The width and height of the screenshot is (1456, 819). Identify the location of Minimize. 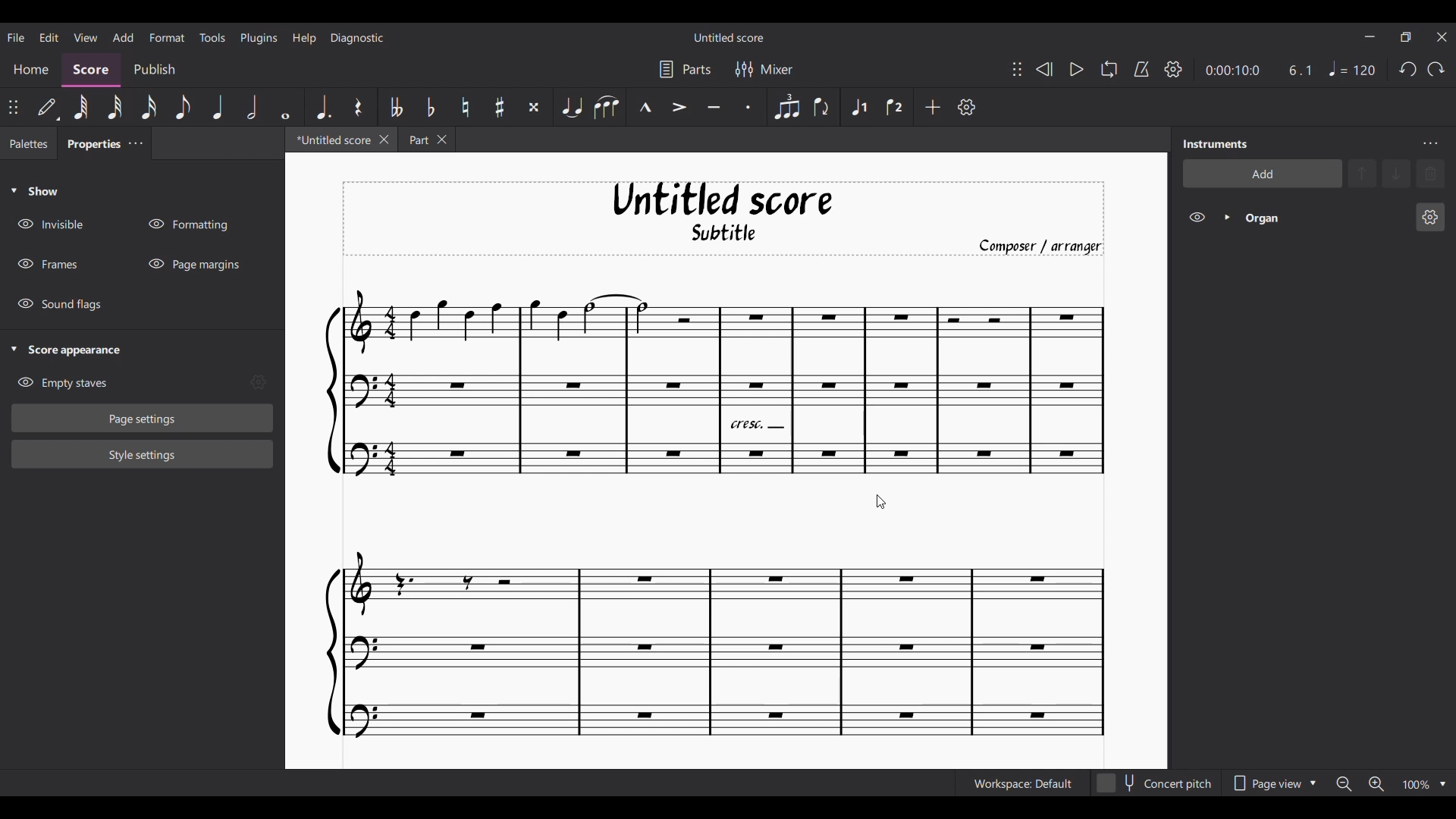
(1370, 36).